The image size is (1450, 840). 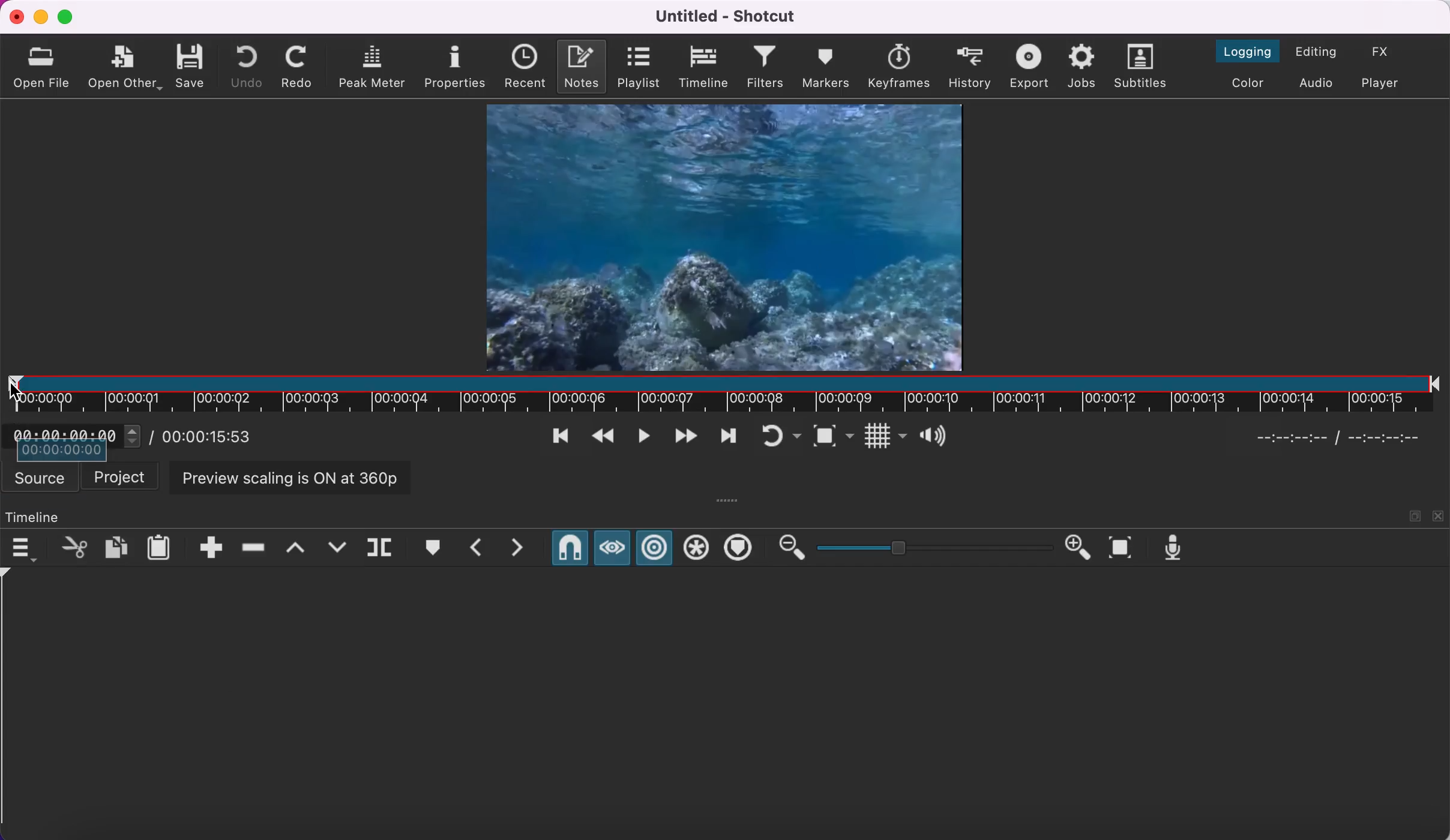 I want to click on cut, so click(x=71, y=545).